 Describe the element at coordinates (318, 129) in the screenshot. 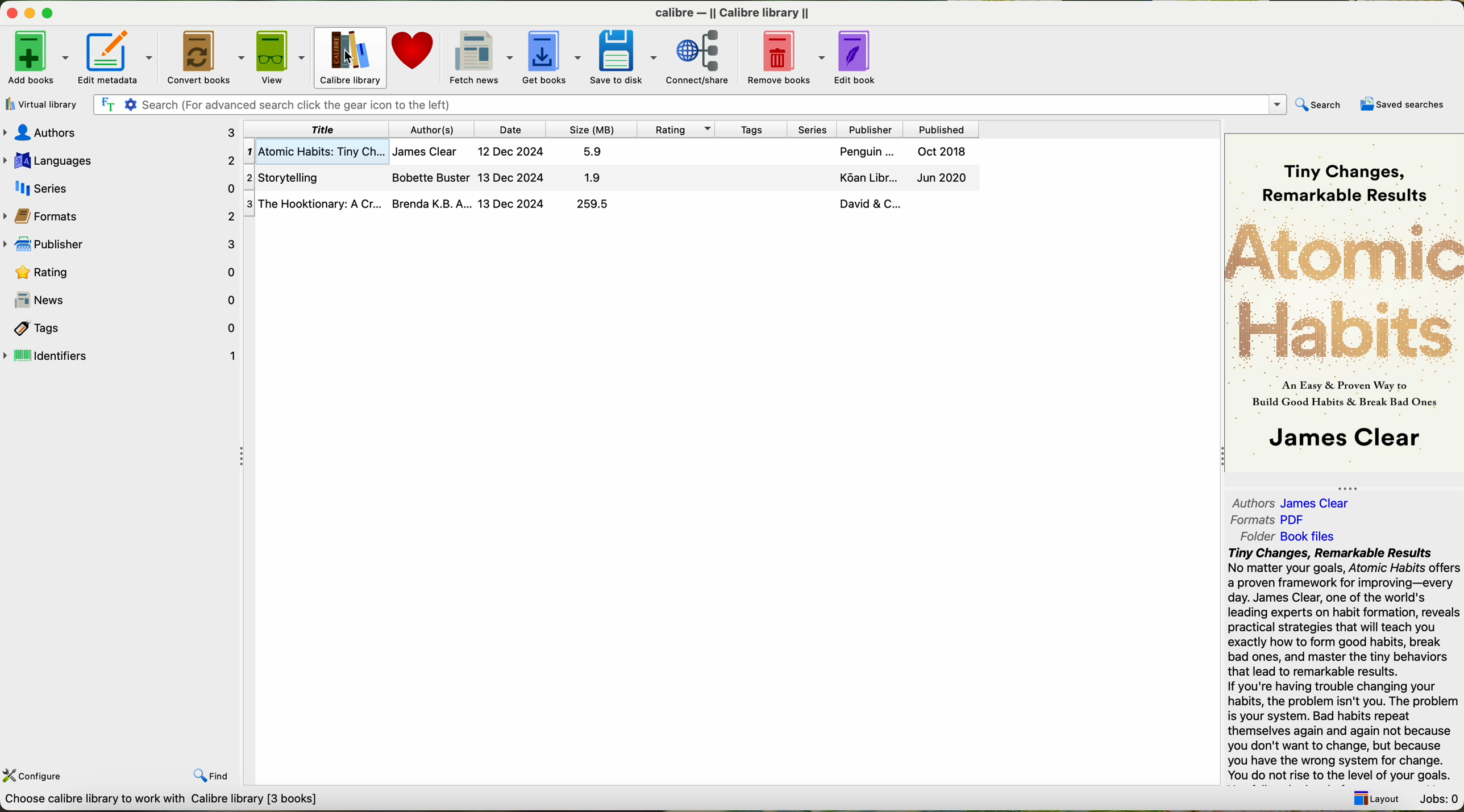

I see `title` at that location.